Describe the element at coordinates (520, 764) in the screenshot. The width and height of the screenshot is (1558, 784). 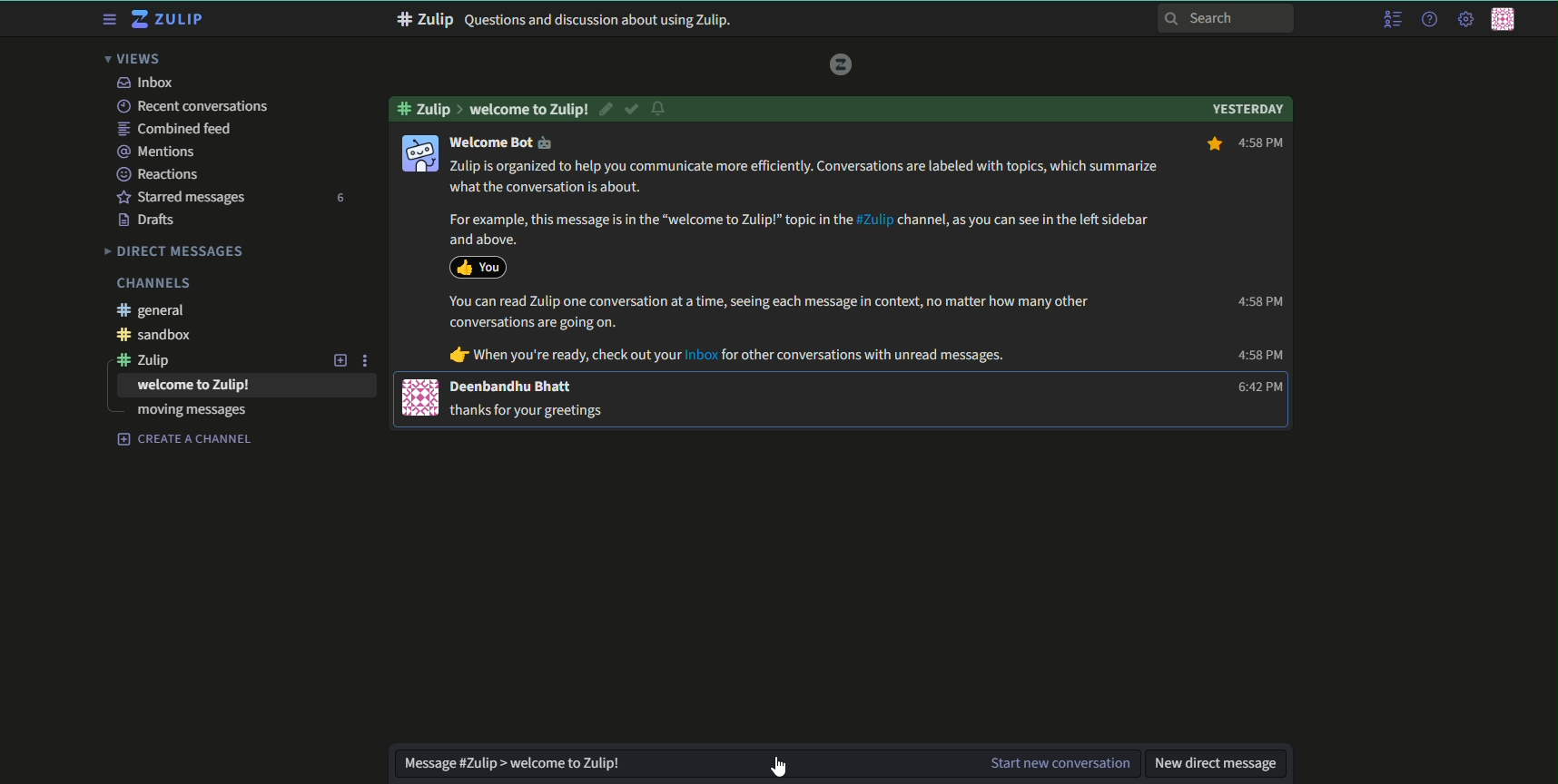
I see `Message #Zulip > welcome to Zulip!` at that location.